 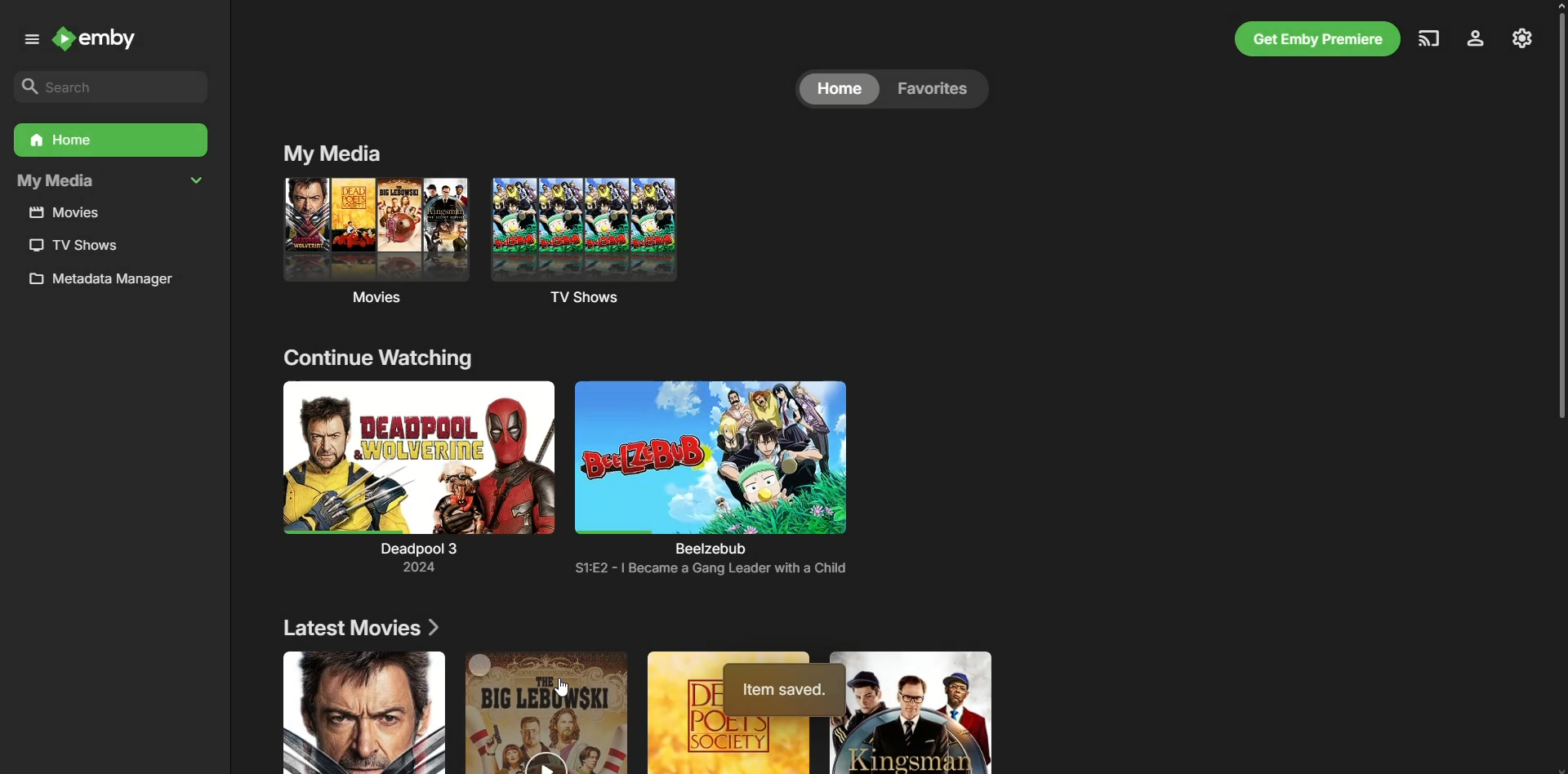 I want to click on Deadpool 3, so click(x=418, y=480).